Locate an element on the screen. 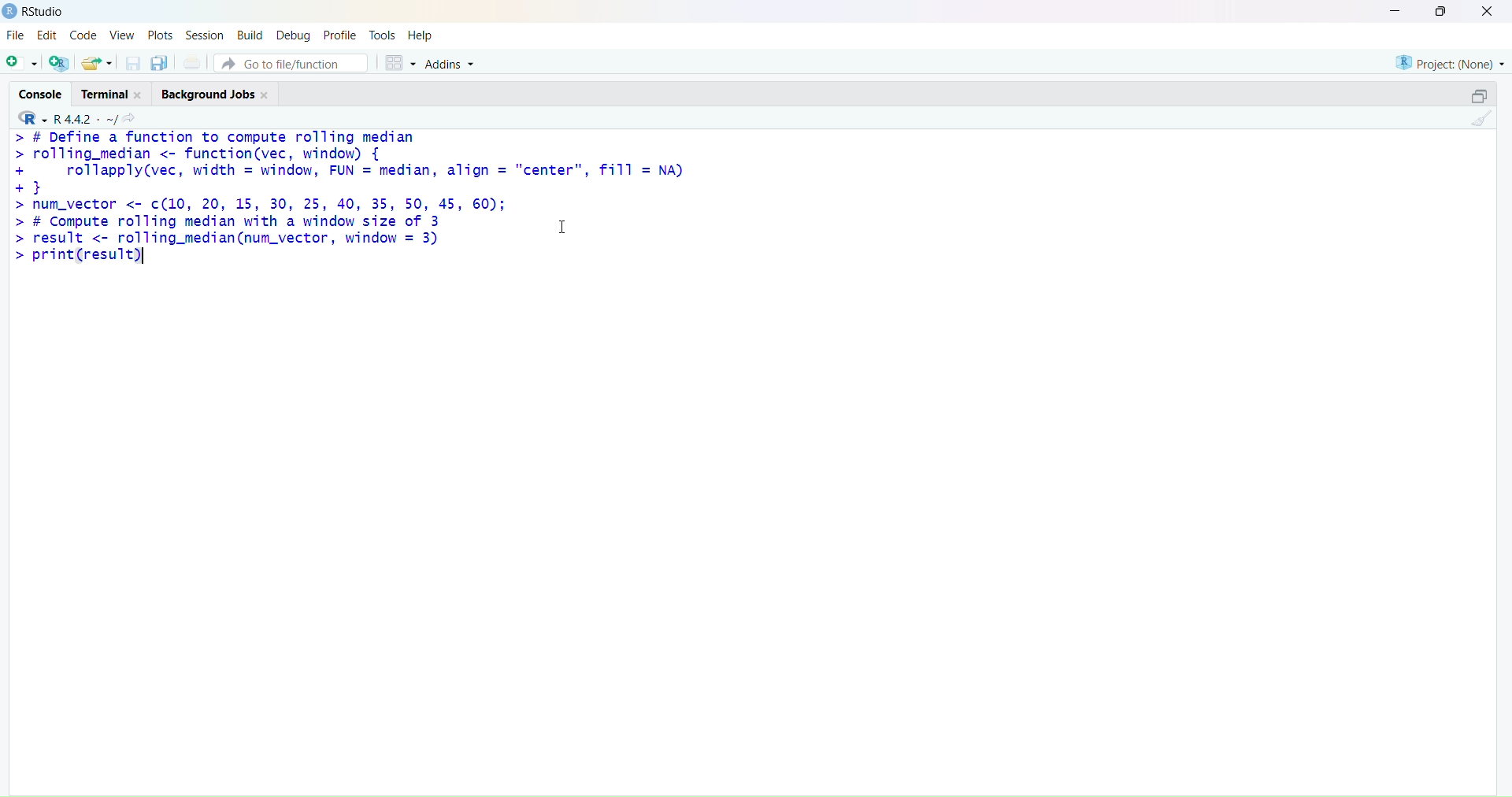 This screenshot has width=1512, height=797. open in separate window is located at coordinates (1479, 96).